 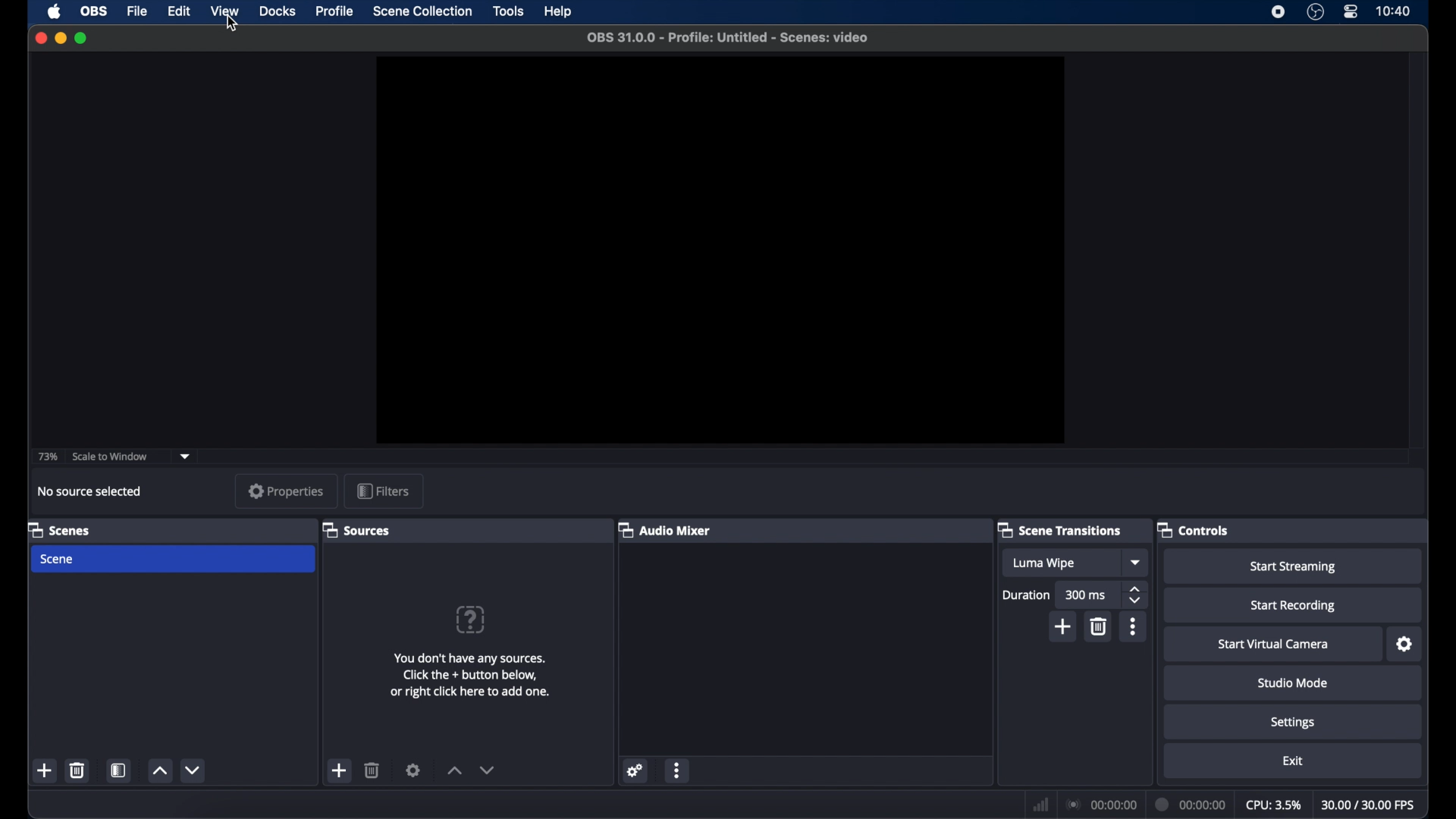 I want to click on audio mixer, so click(x=665, y=529).